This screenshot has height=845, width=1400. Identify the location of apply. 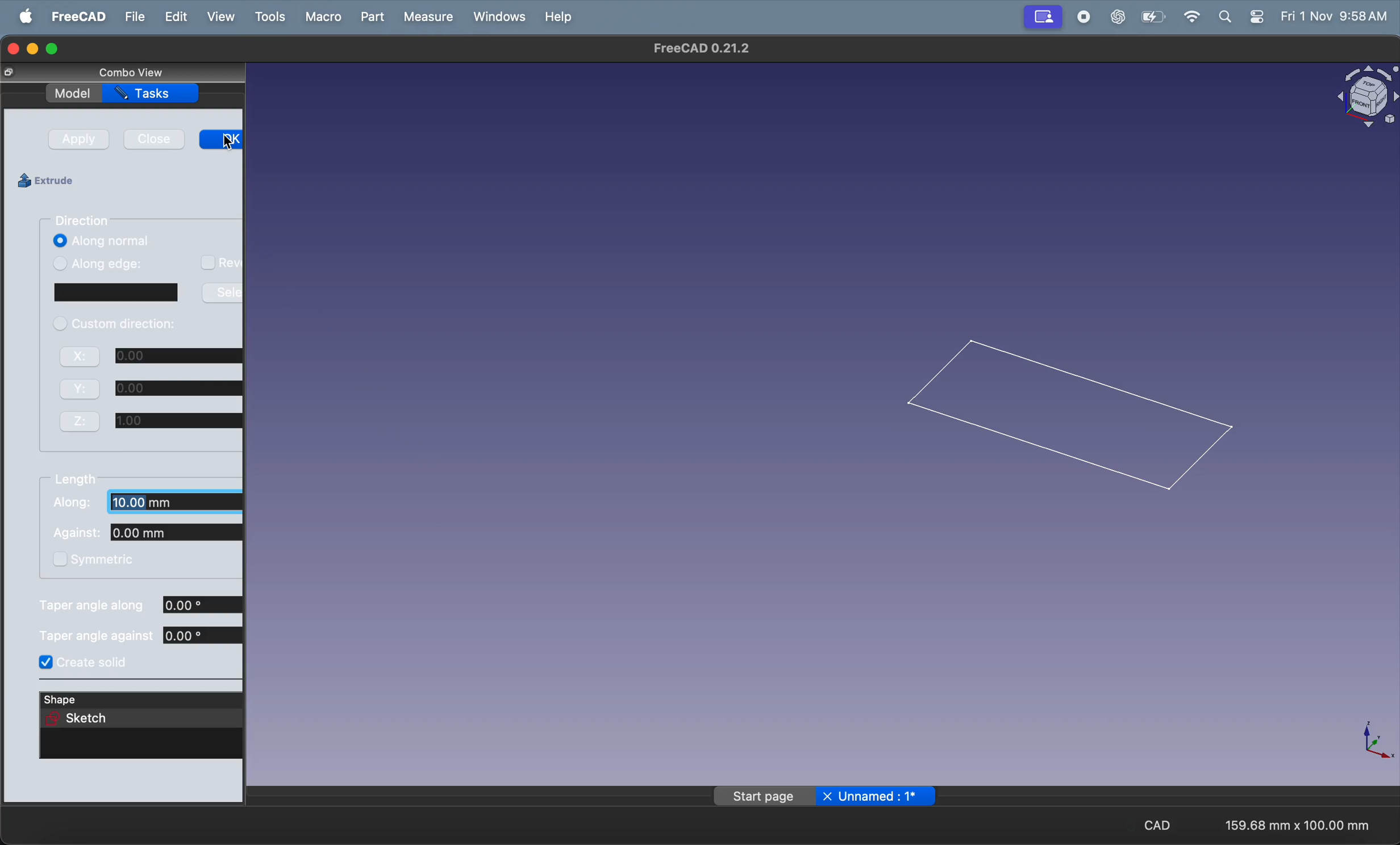
(80, 140).